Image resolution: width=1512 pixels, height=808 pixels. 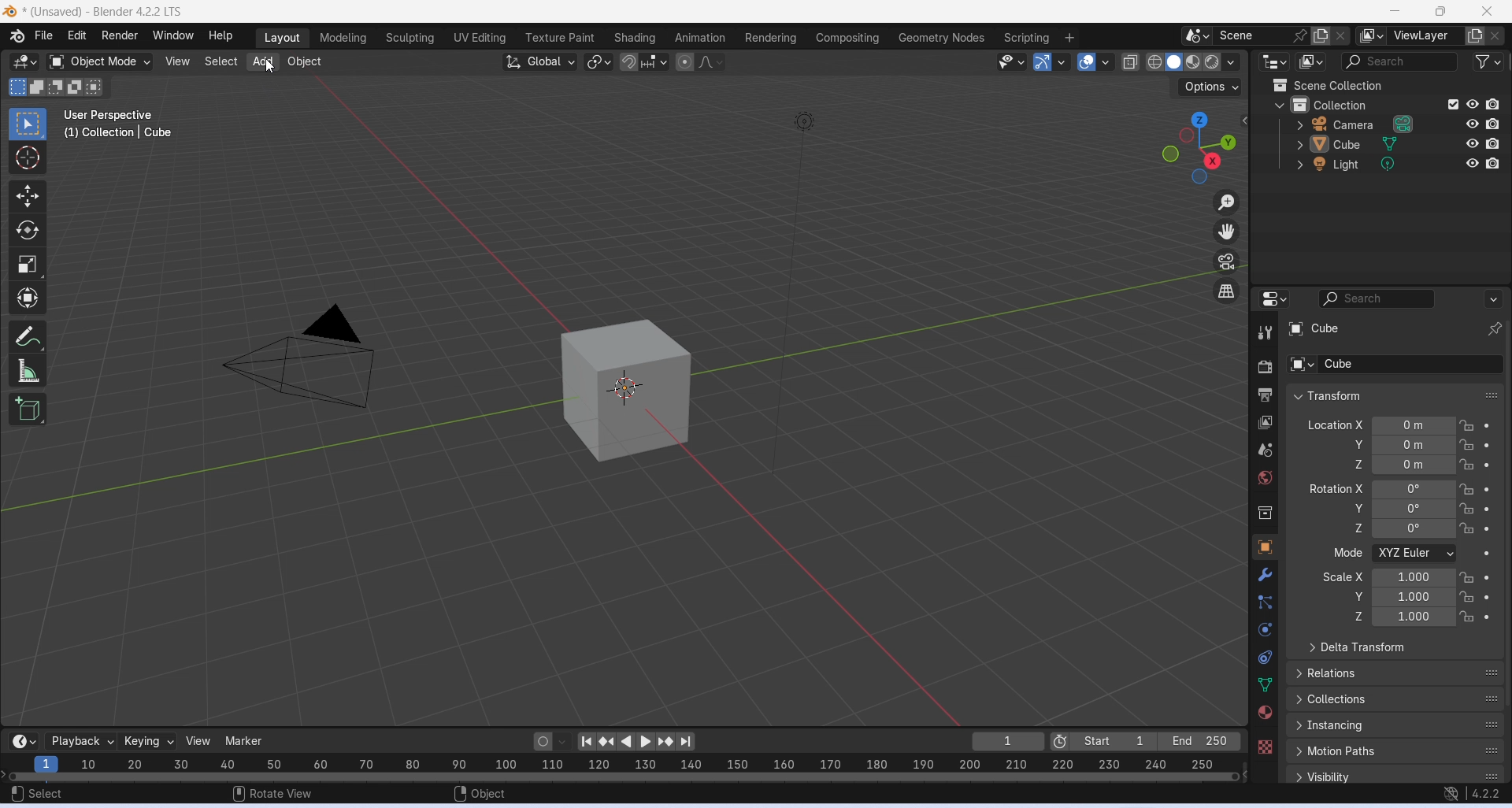 I want to click on network access, so click(x=1451, y=795).